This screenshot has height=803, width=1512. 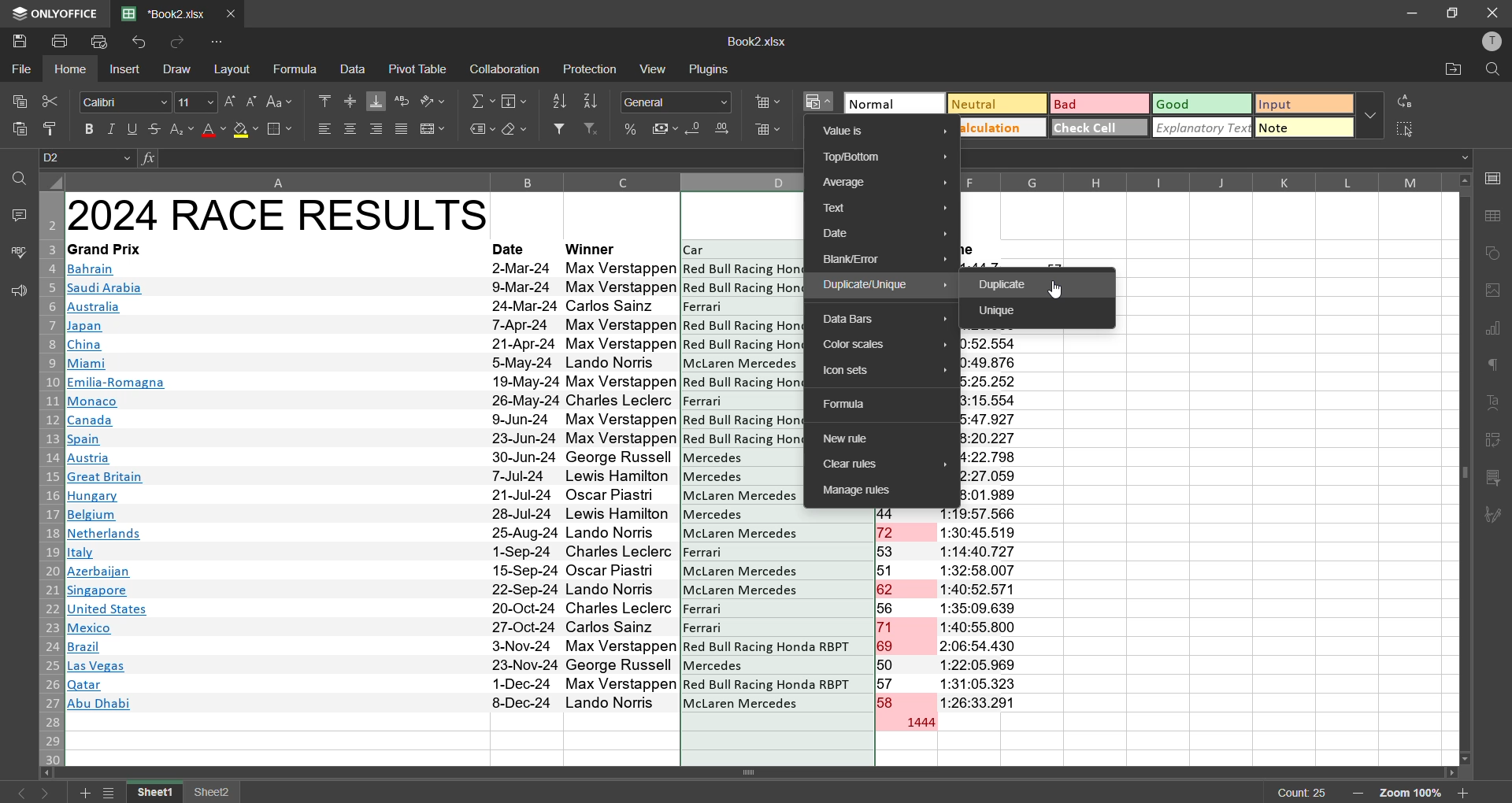 I want to click on zoom factor, so click(x=1412, y=794).